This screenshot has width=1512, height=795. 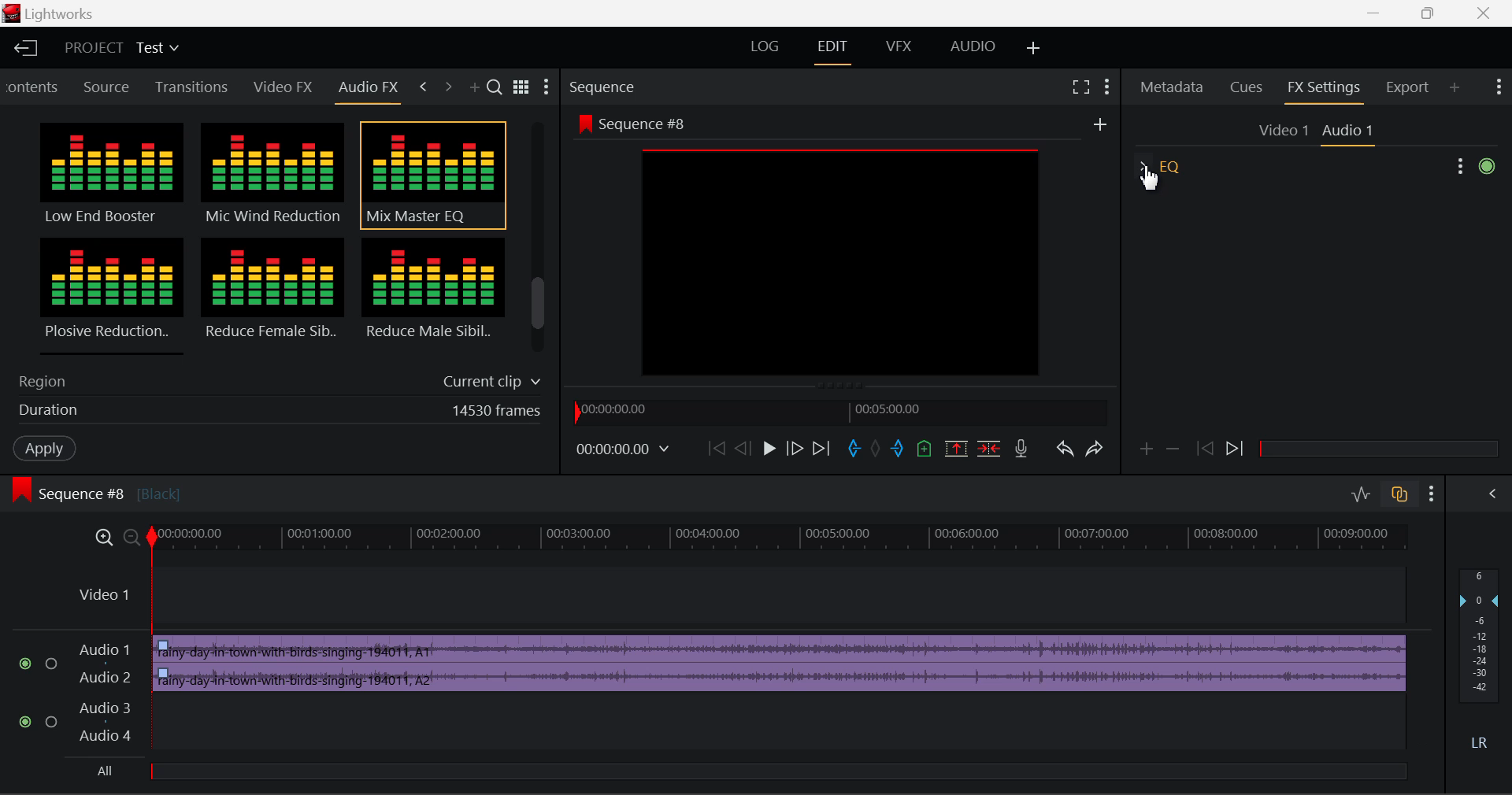 What do you see at coordinates (762, 47) in the screenshot?
I see `LOG Layout` at bounding box center [762, 47].